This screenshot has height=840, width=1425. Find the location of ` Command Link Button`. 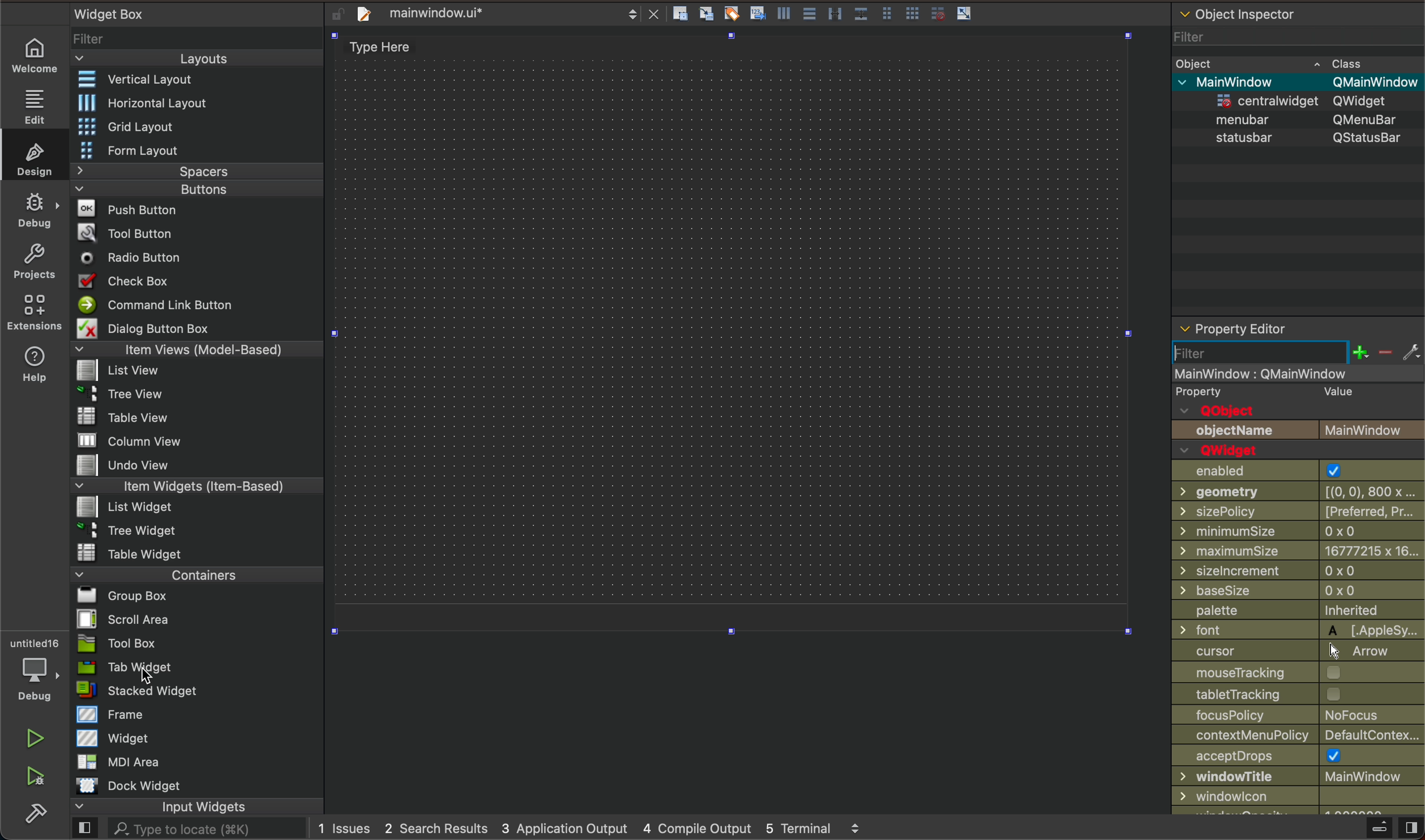

 Command Link Button is located at coordinates (155, 304).